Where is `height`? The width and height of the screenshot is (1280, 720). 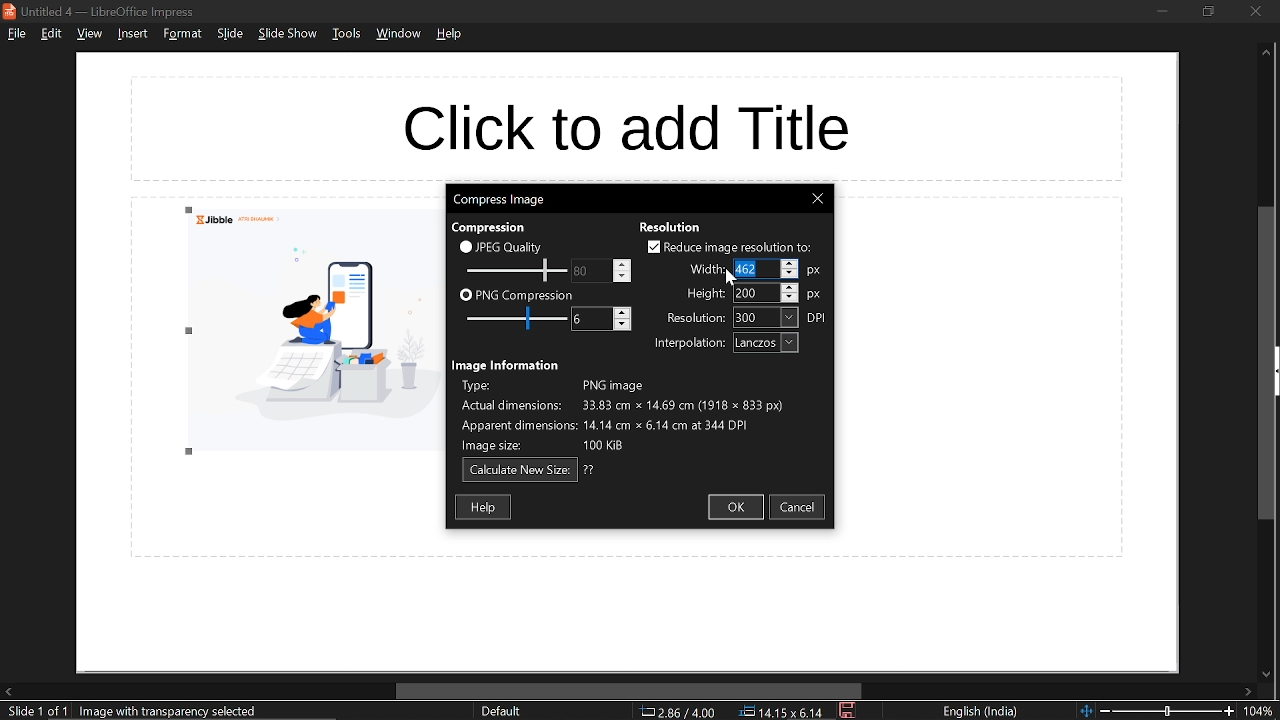 height is located at coordinates (754, 293).